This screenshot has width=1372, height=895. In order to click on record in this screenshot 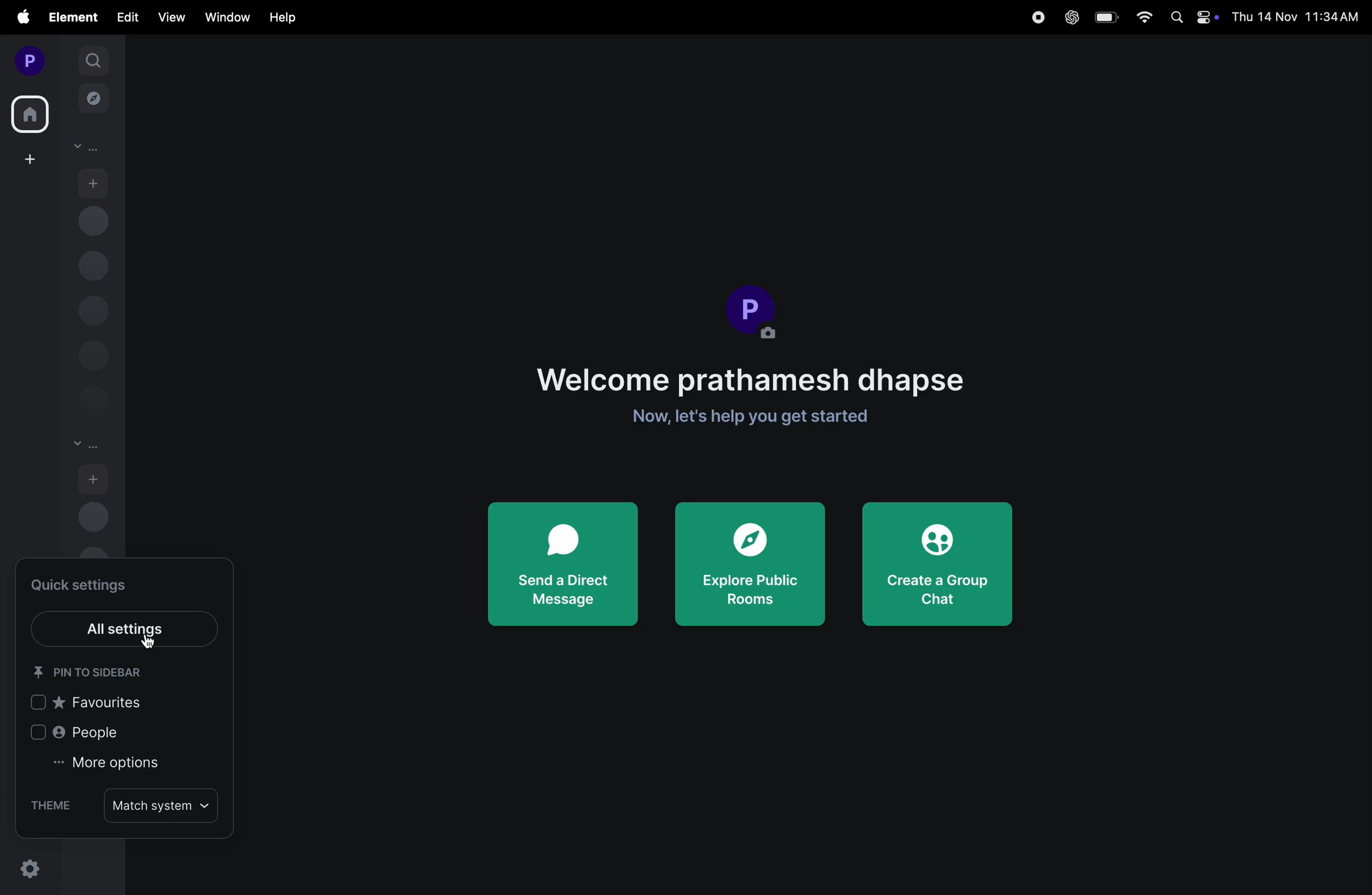, I will do `click(1039, 17)`.